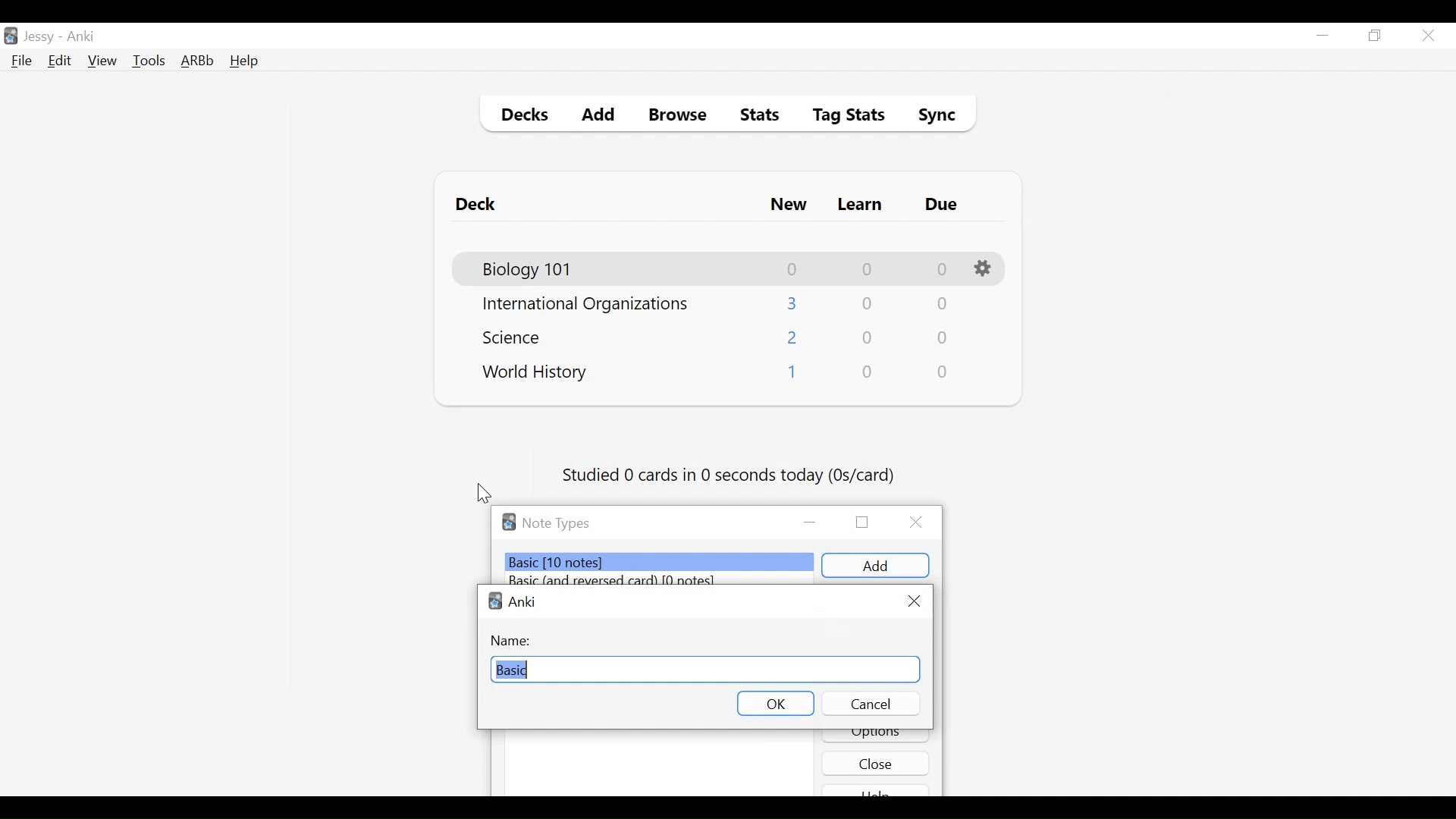 The image size is (1456, 819). I want to click on Deck Name, so click(535, 373).